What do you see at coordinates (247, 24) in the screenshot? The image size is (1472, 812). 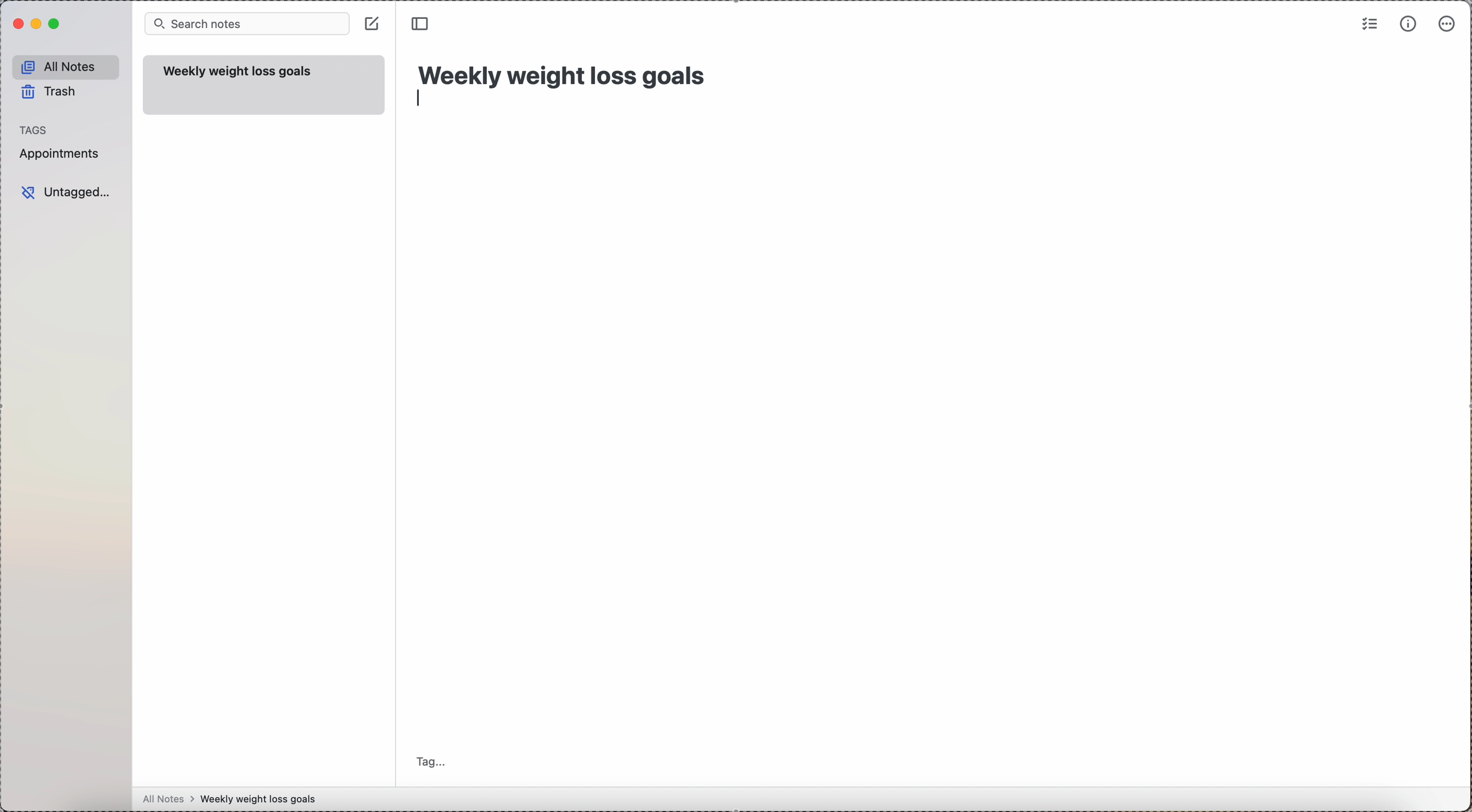 I see `search bar` at bounding box center [247, 24].